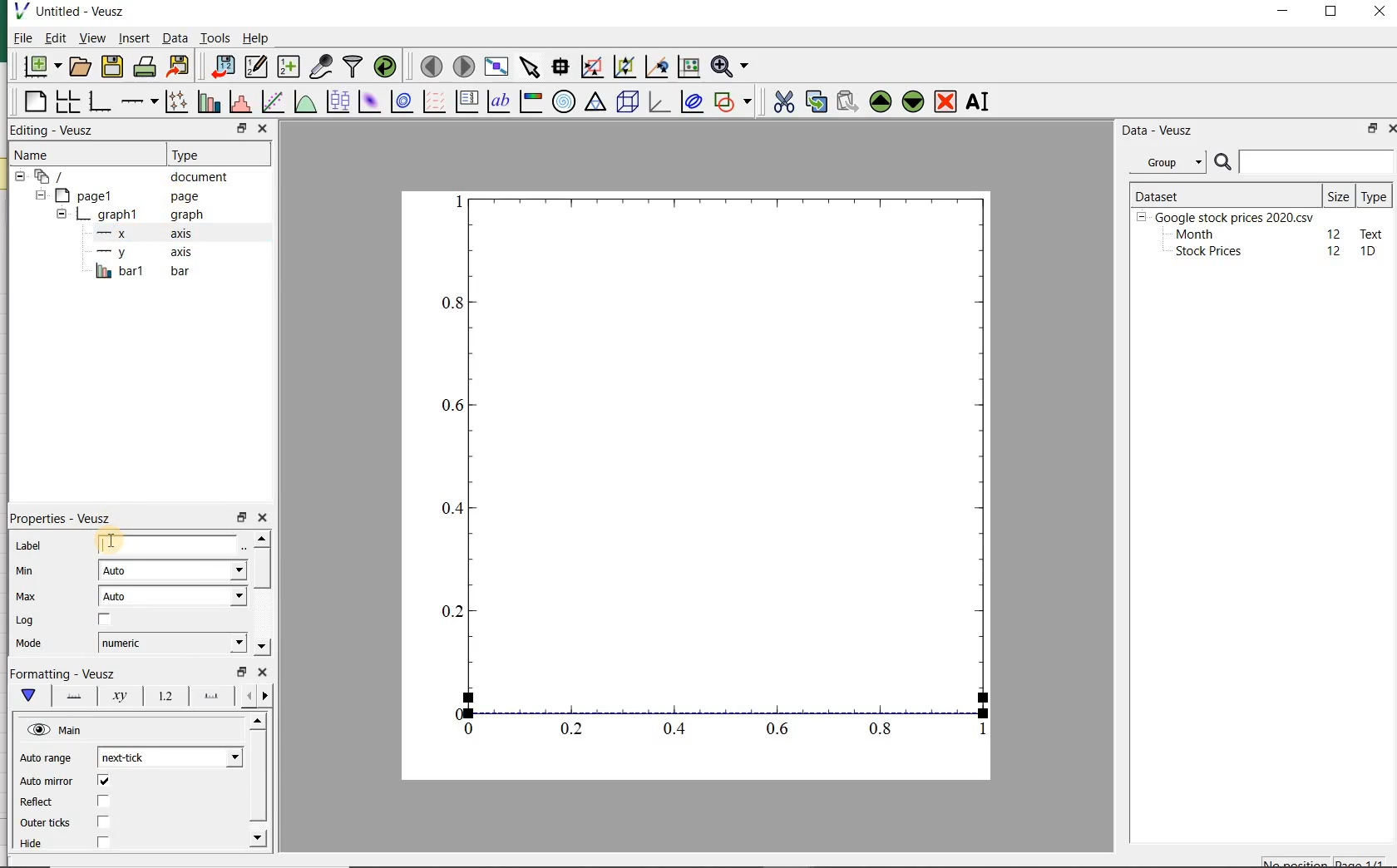 The width and height of the screenshot is (1397, 868). I want to click on image color bar, so click(529, 101).